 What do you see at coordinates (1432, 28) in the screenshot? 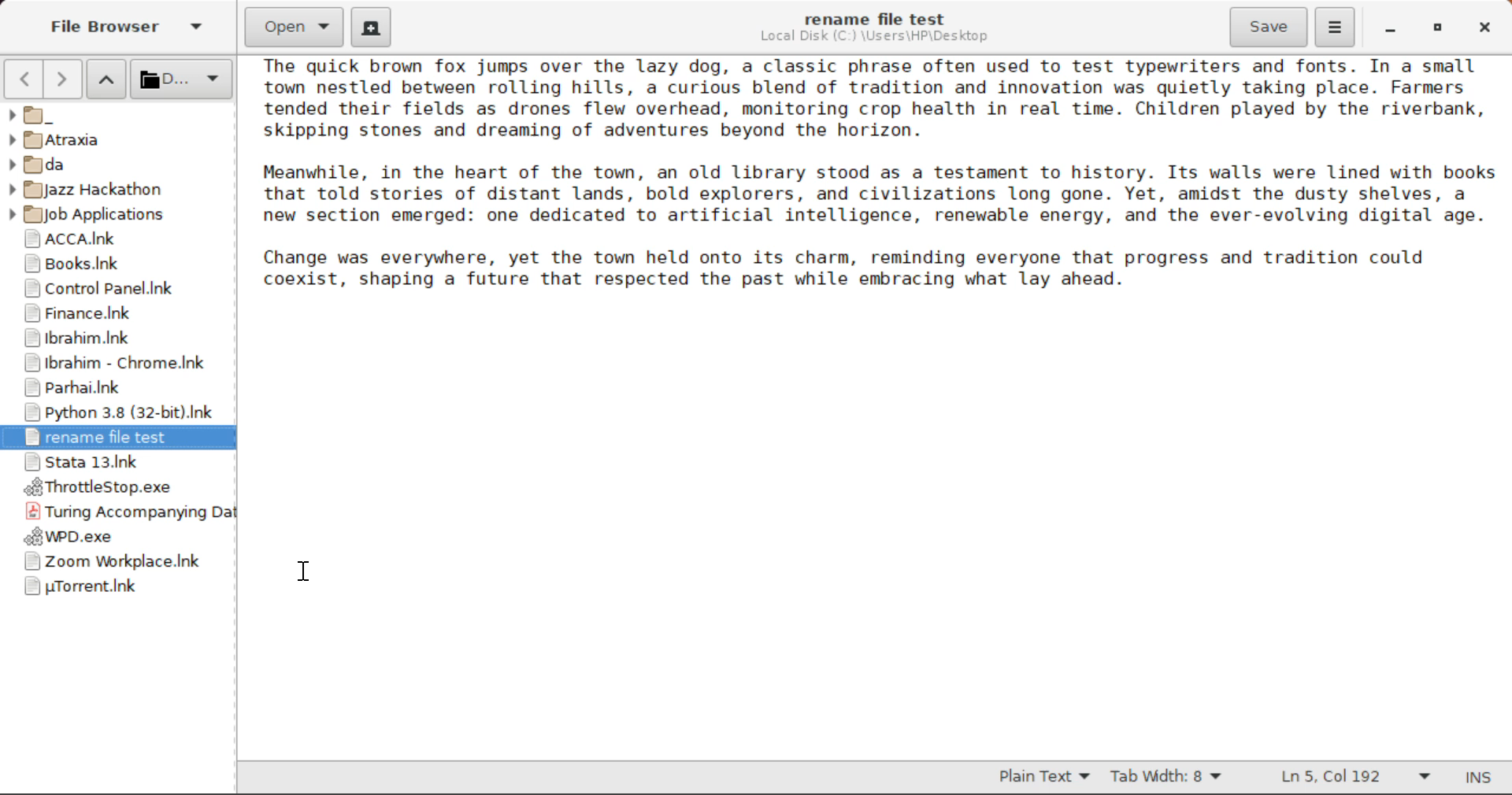
I see `Minimize` at bounding box center [1432, 28].